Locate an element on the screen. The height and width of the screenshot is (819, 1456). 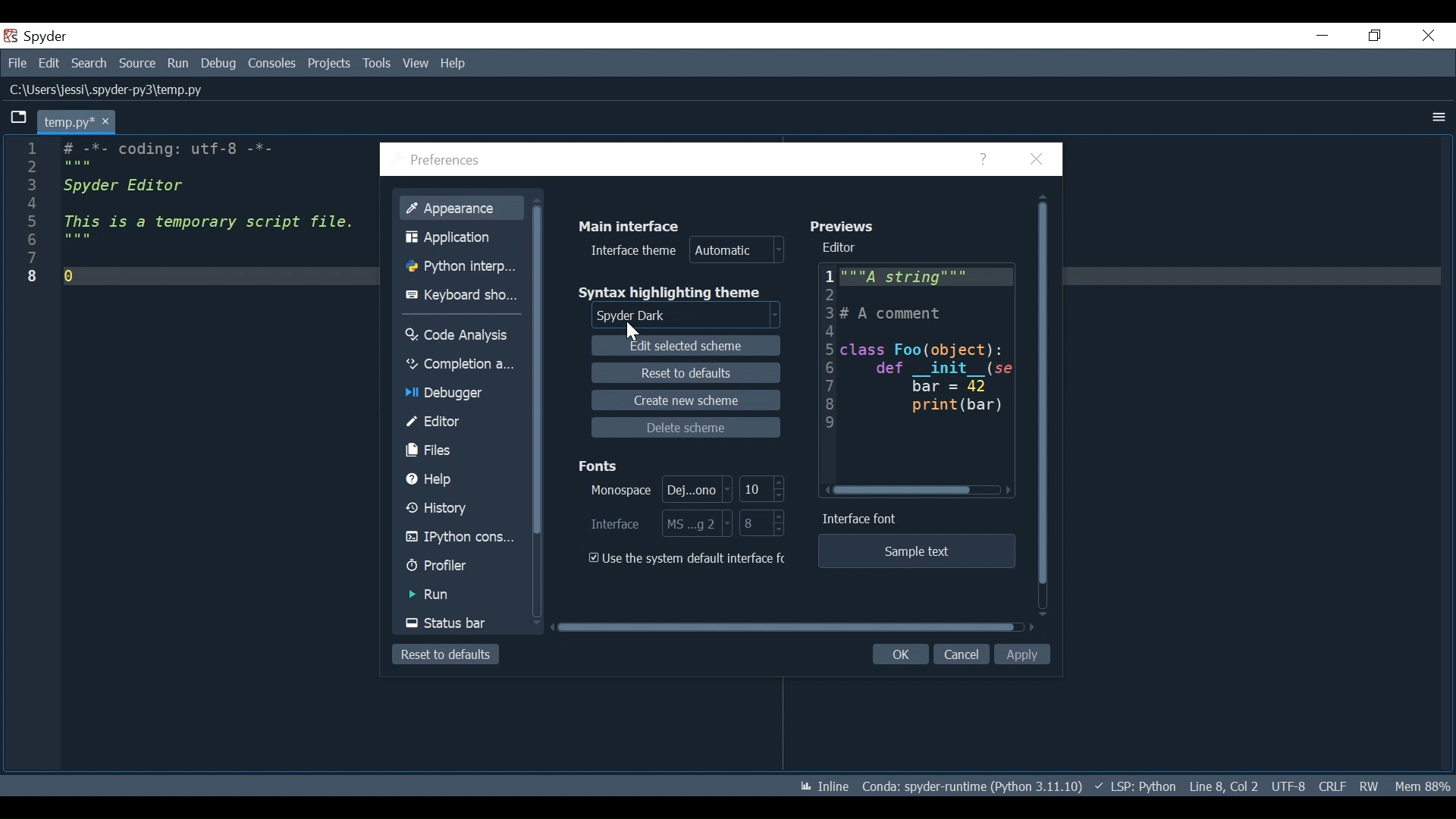
Horizontal Scroll bar is located at coordinates (786, 627).